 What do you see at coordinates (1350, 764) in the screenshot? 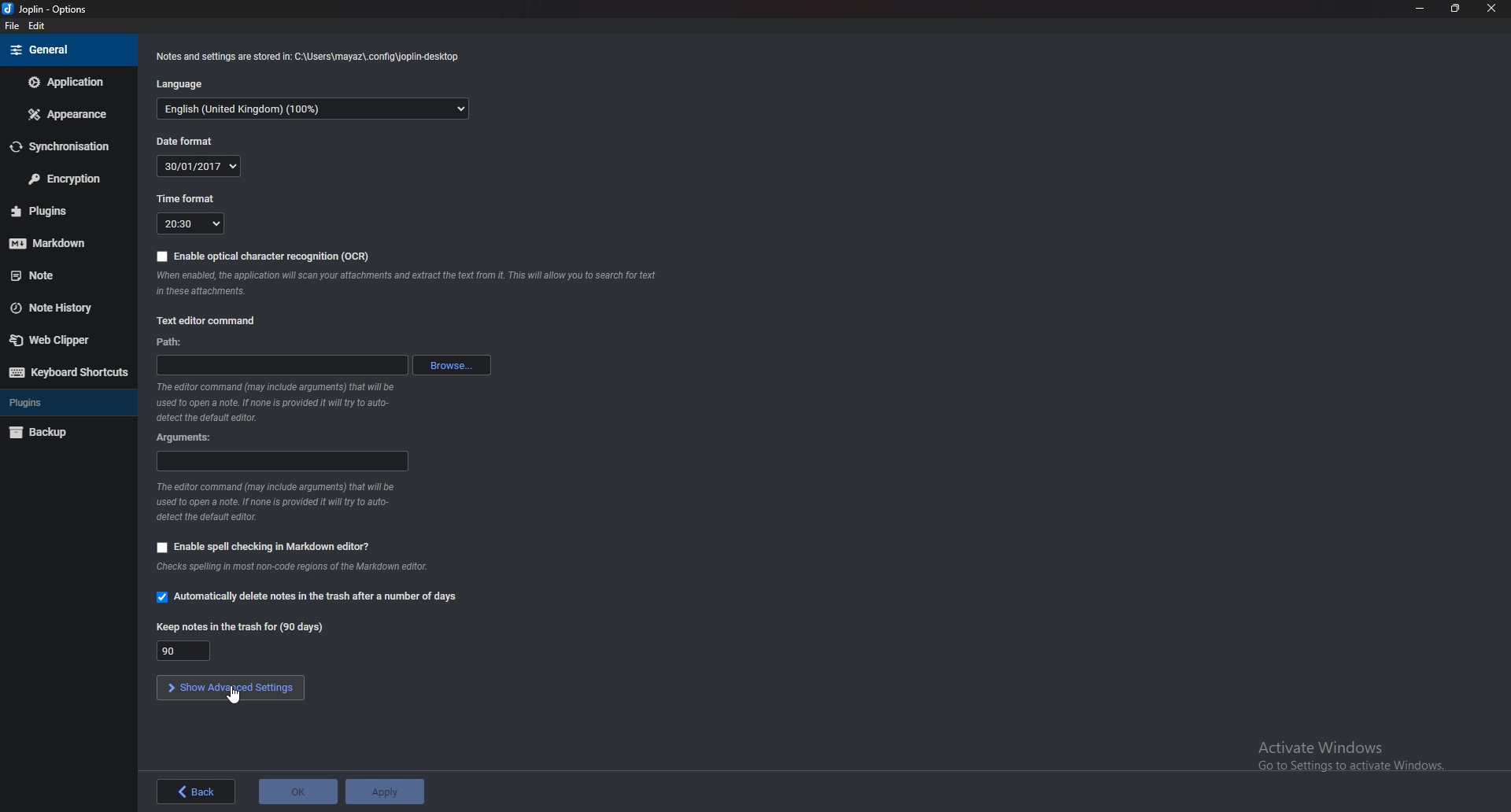
I see `activate windows` at bounding box center [1350, 764].